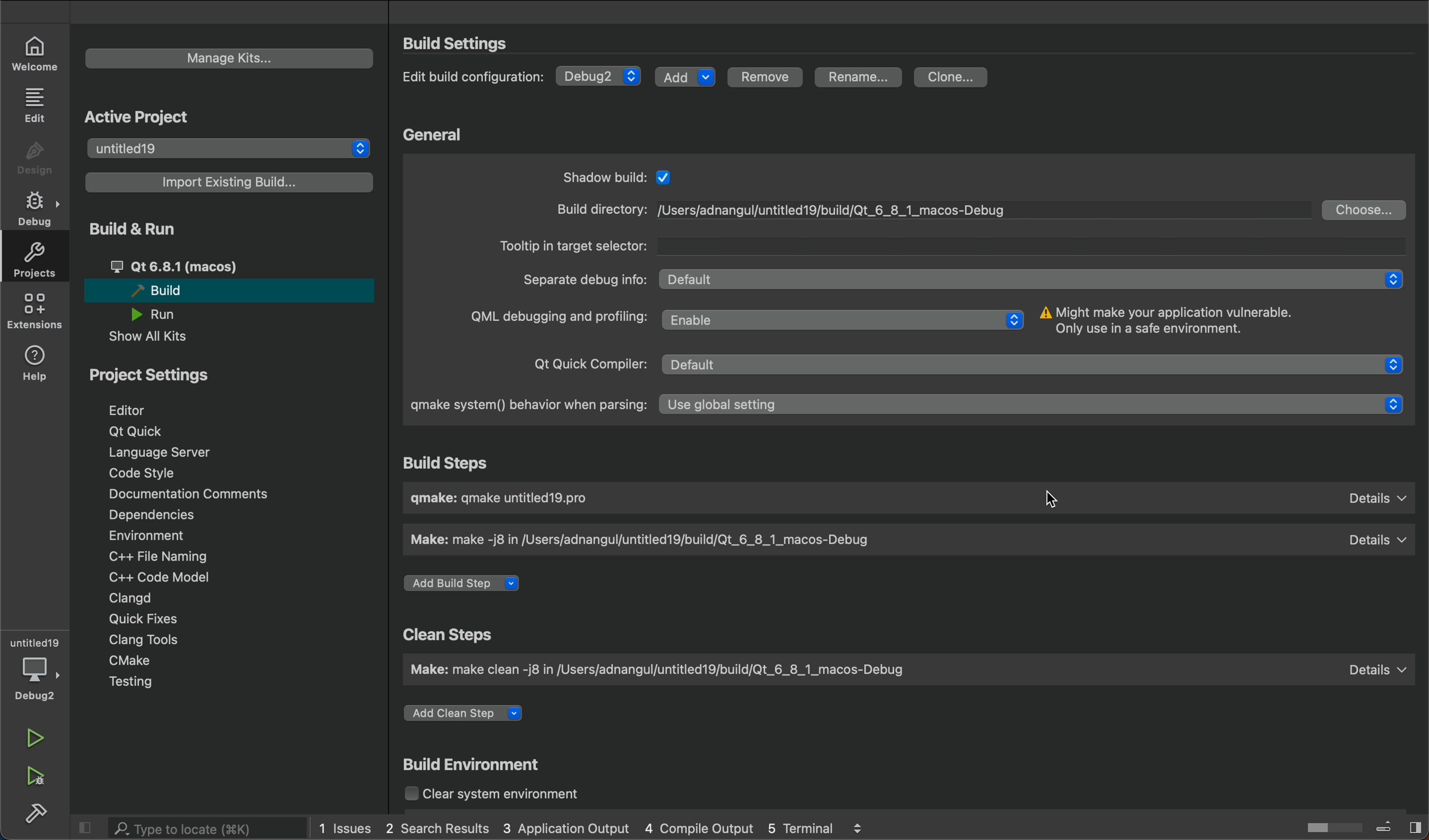 This screenshot has height=840, width=1429. Describe the element at coordinates (156, 556) in the screenshot. I see `c++ file naming` at that location.